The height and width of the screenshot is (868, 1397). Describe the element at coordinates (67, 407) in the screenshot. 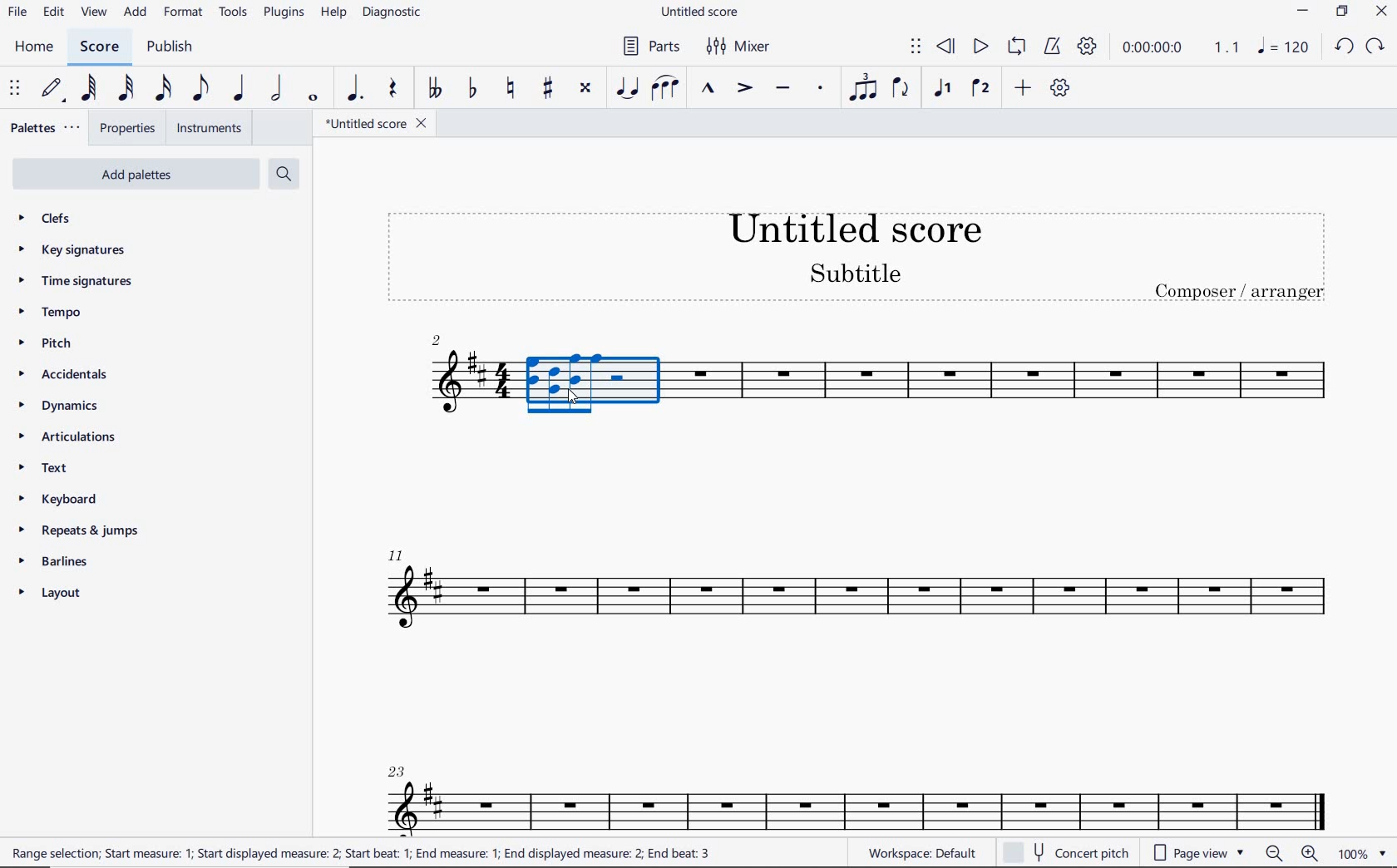

I see `DYNAMICS` at that location.